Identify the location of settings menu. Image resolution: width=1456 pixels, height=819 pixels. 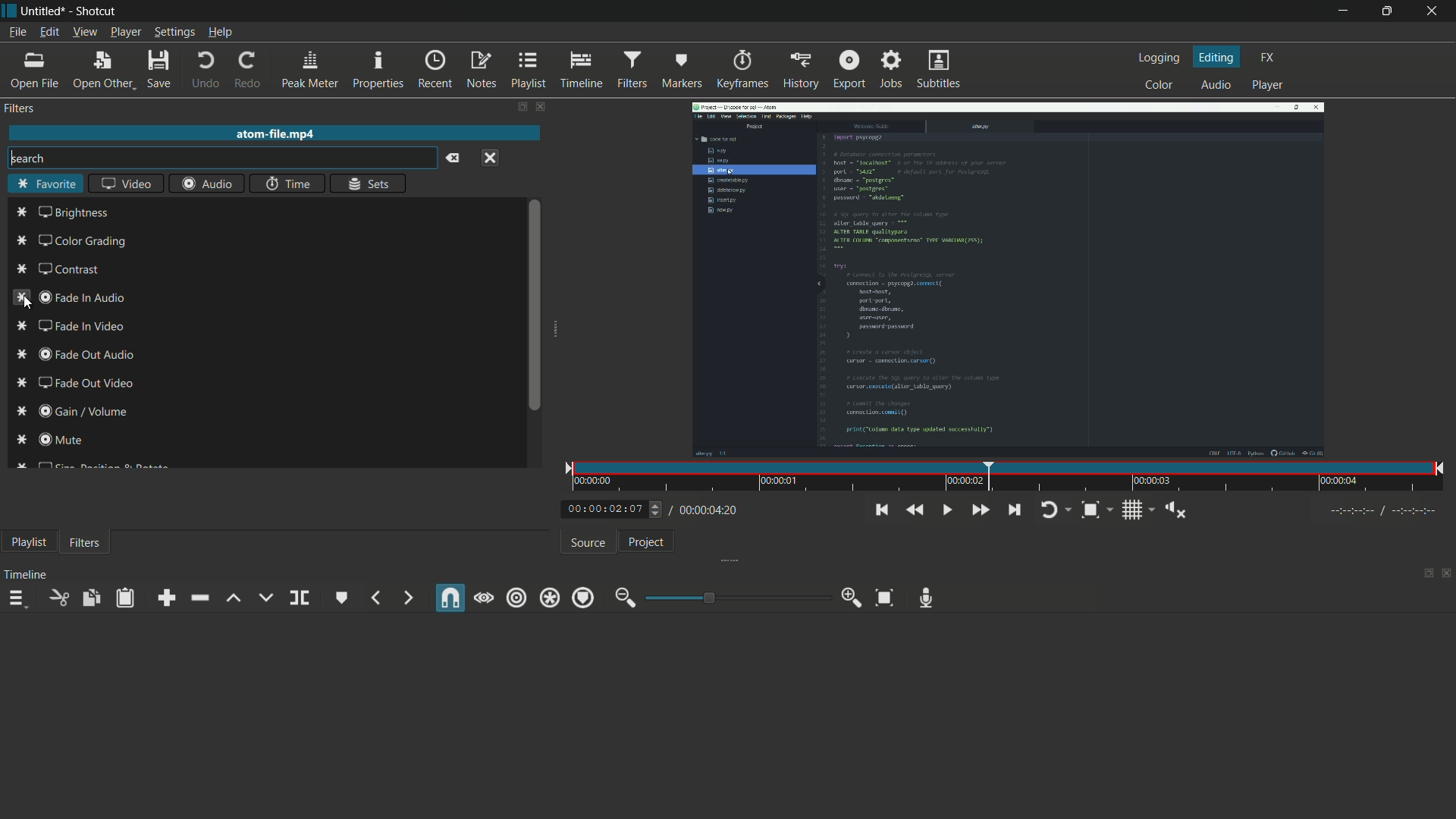
(174, 32).